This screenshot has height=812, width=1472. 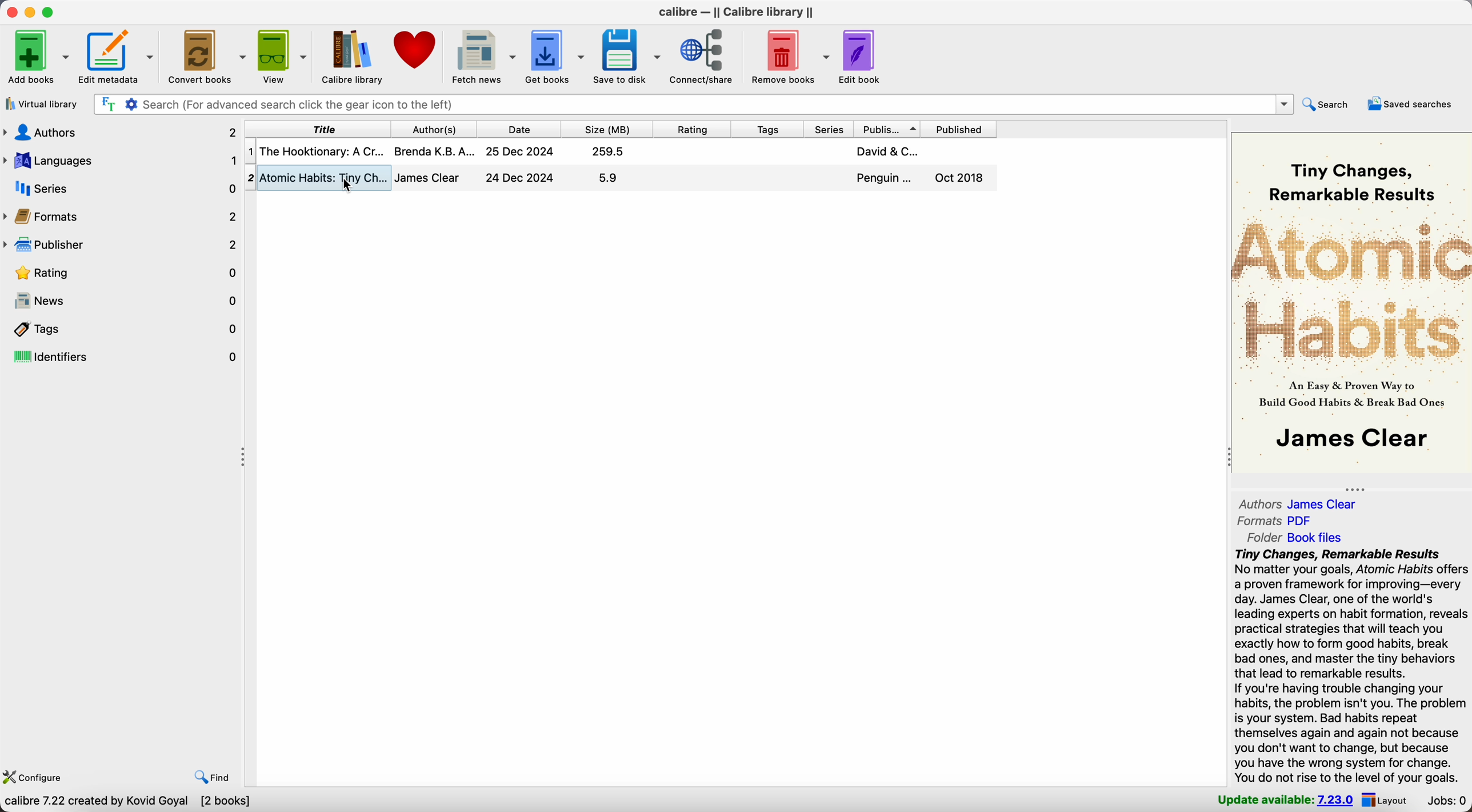 I want to click on remove books, so click(x=787, y=55).